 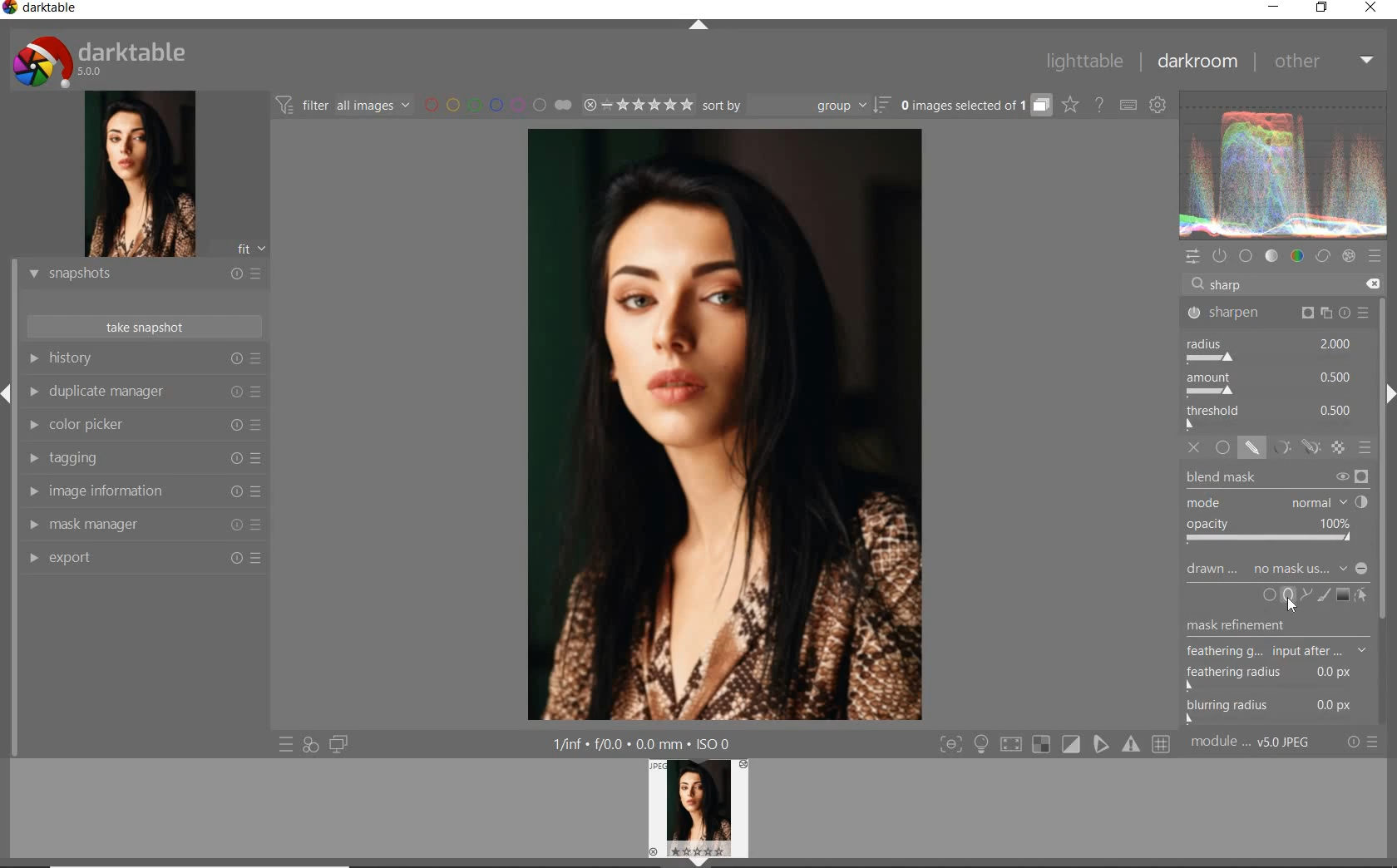 What do you see at coordinates (1363, 742) in the screenshot?
I see `reset or presets and preferences` at bounding box center [1363, 742].